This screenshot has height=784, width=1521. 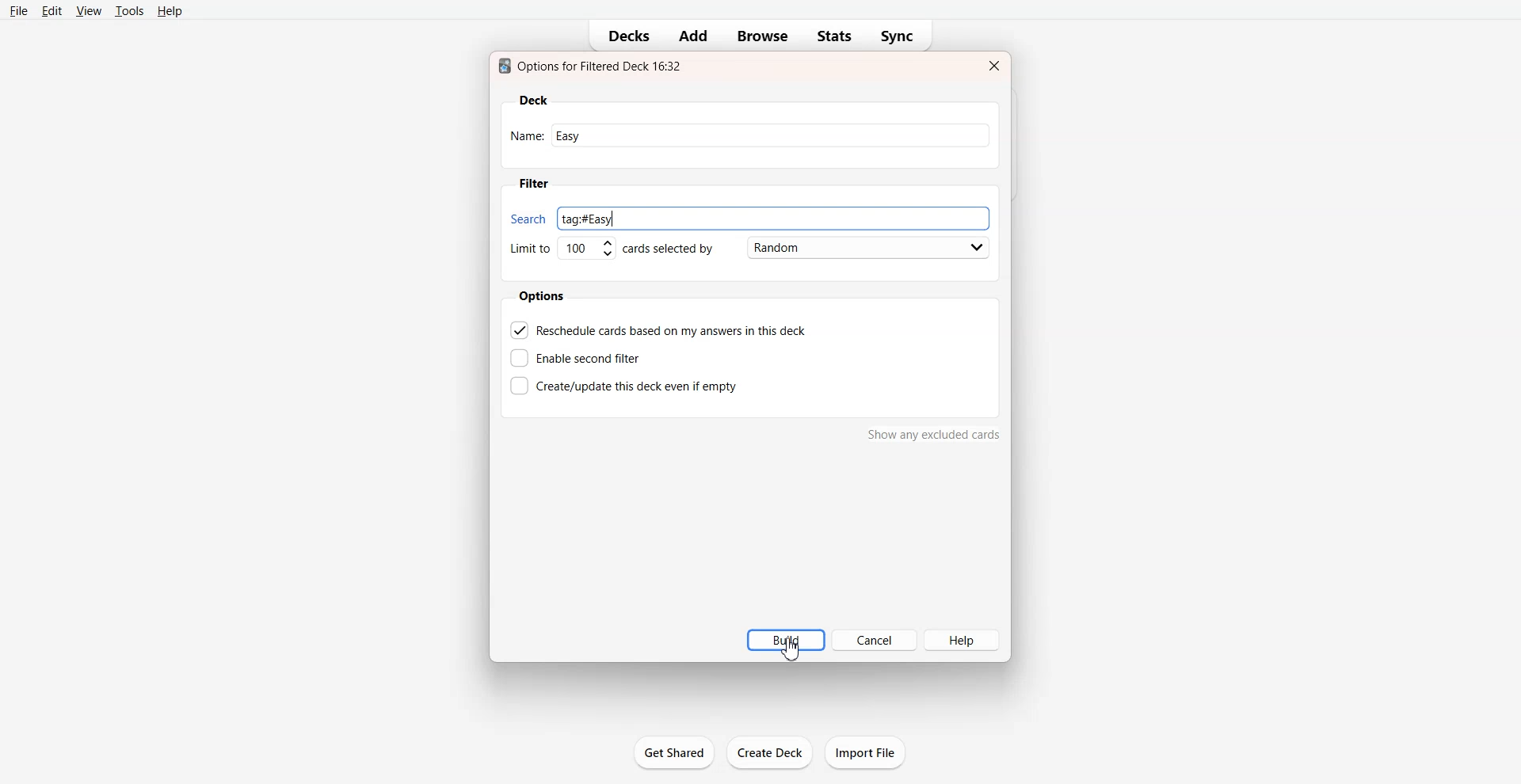 I want to click on Search bar, so click(x=745, y=216).